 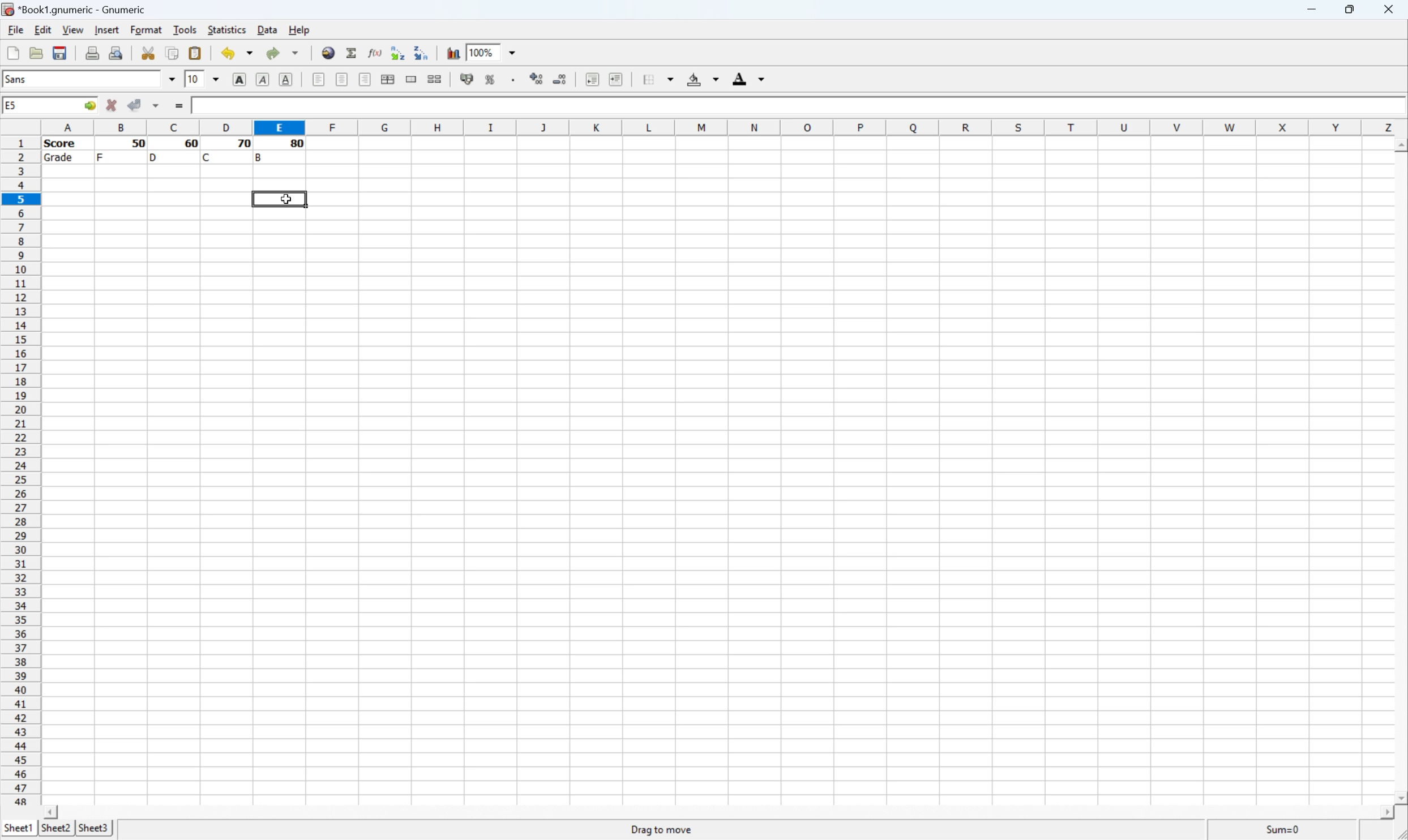 I want to click on Paste the clipboard, so click(x=199, y=53).